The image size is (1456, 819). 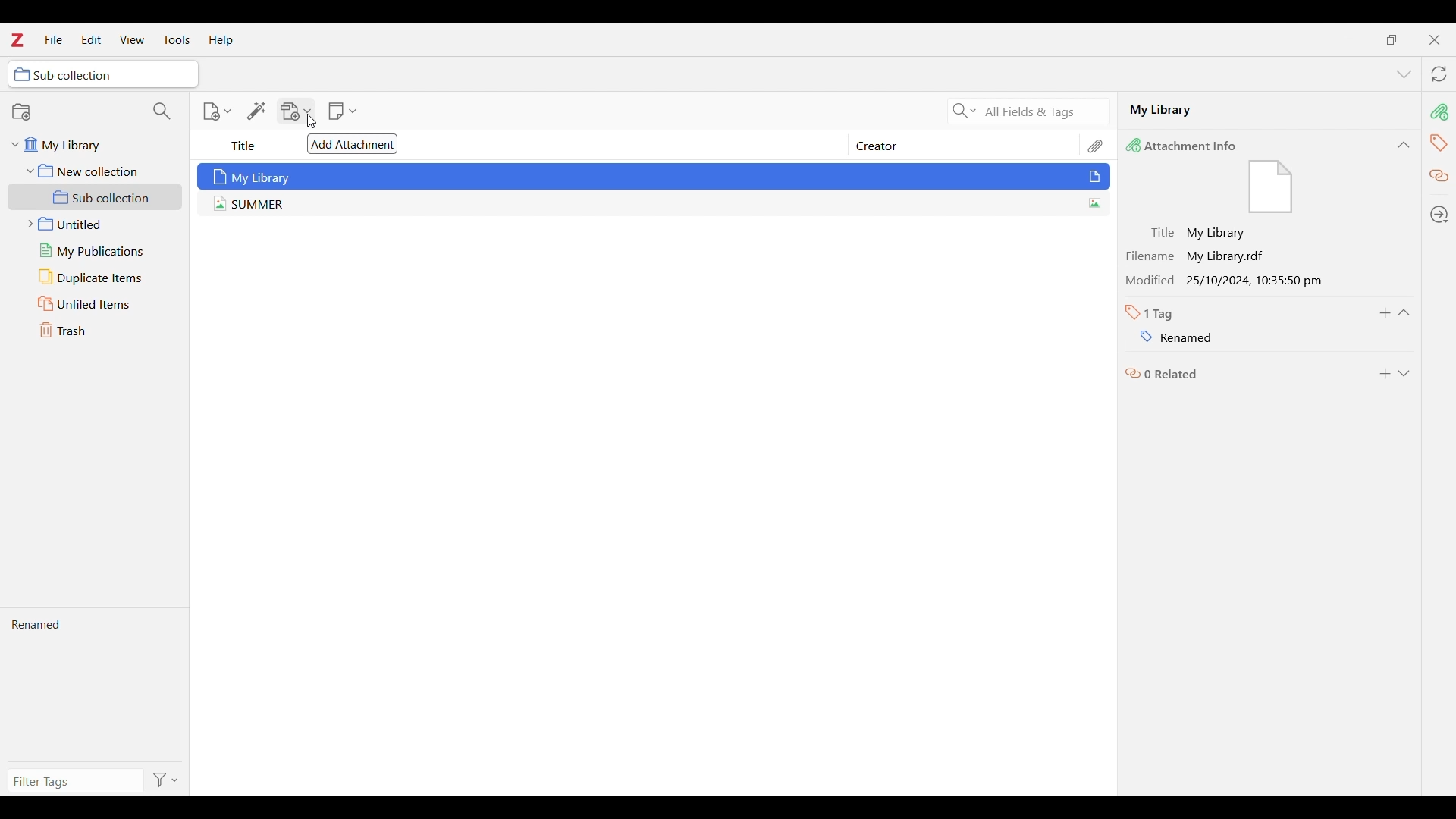 What do you see at coordinates (20, 111) in the screenshot?
I see `Add new collection` at bounding box center [20, 111].